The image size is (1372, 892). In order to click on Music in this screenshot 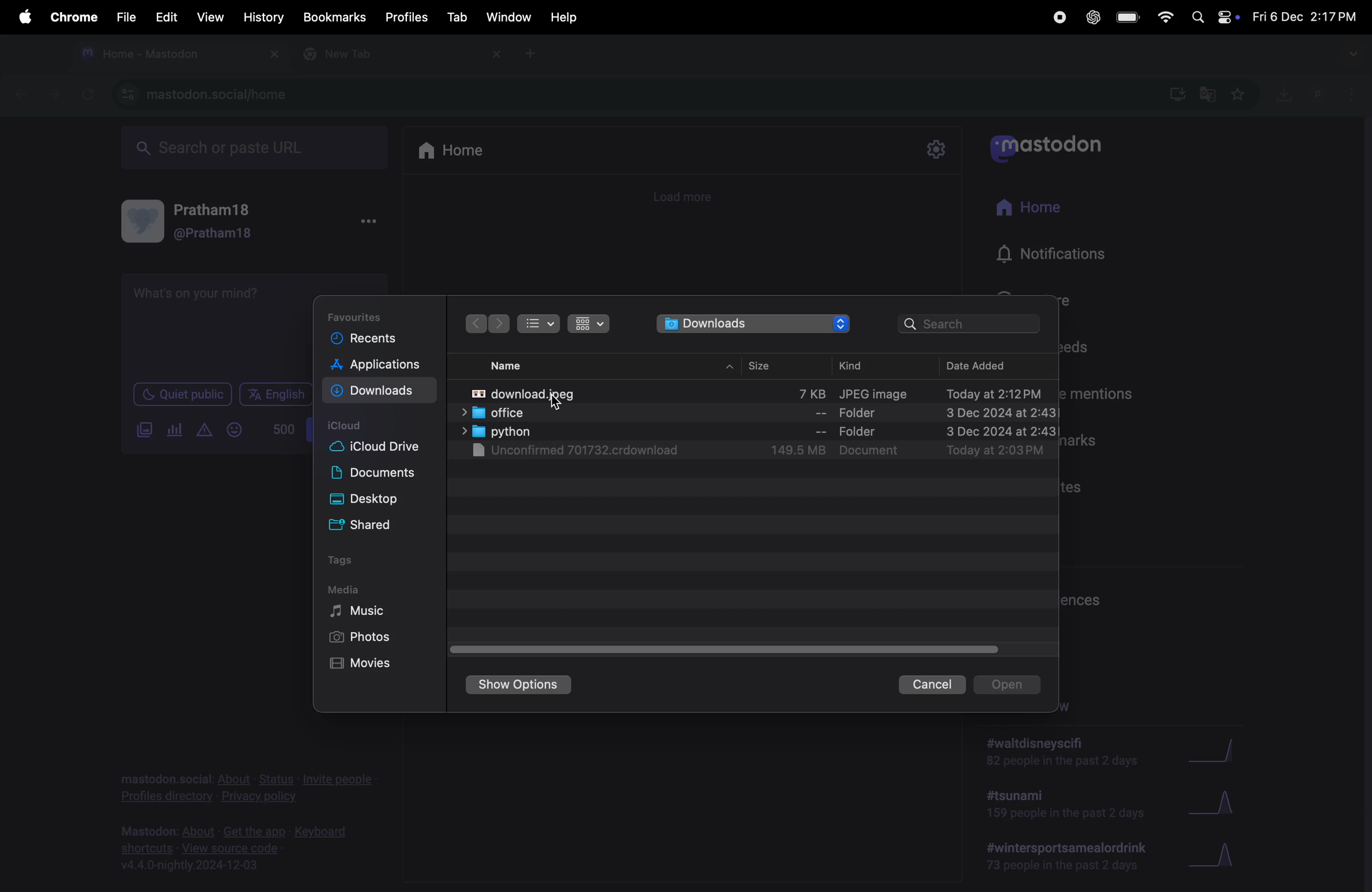, I will do `click(362, 613)`.